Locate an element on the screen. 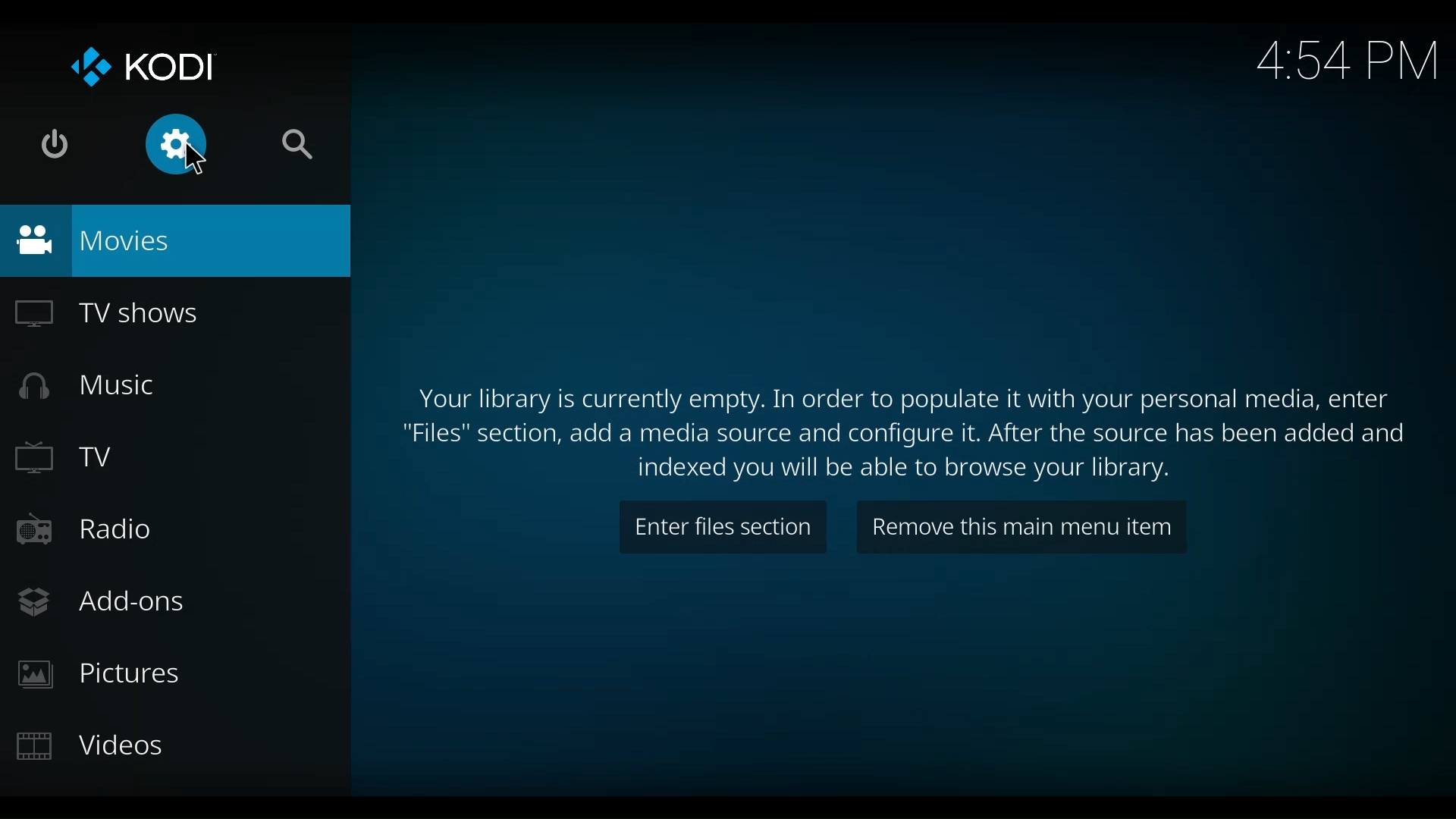  Settings is located at coordinates (174, 145).